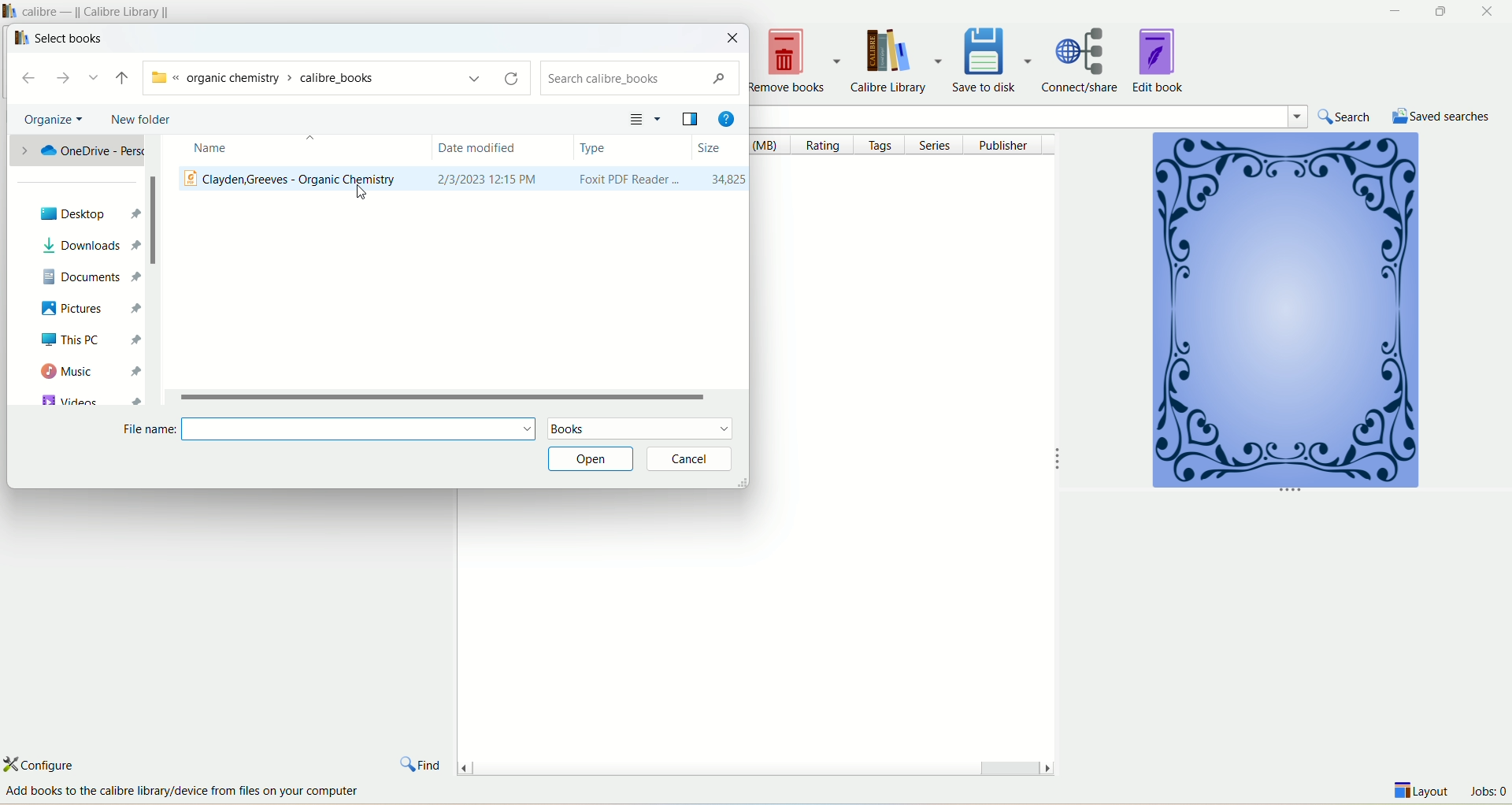 The height and width of the screenshot is (805, 1512). Describe the element at coordinates (291, 150) in the screenshot. I see `name` at that location.